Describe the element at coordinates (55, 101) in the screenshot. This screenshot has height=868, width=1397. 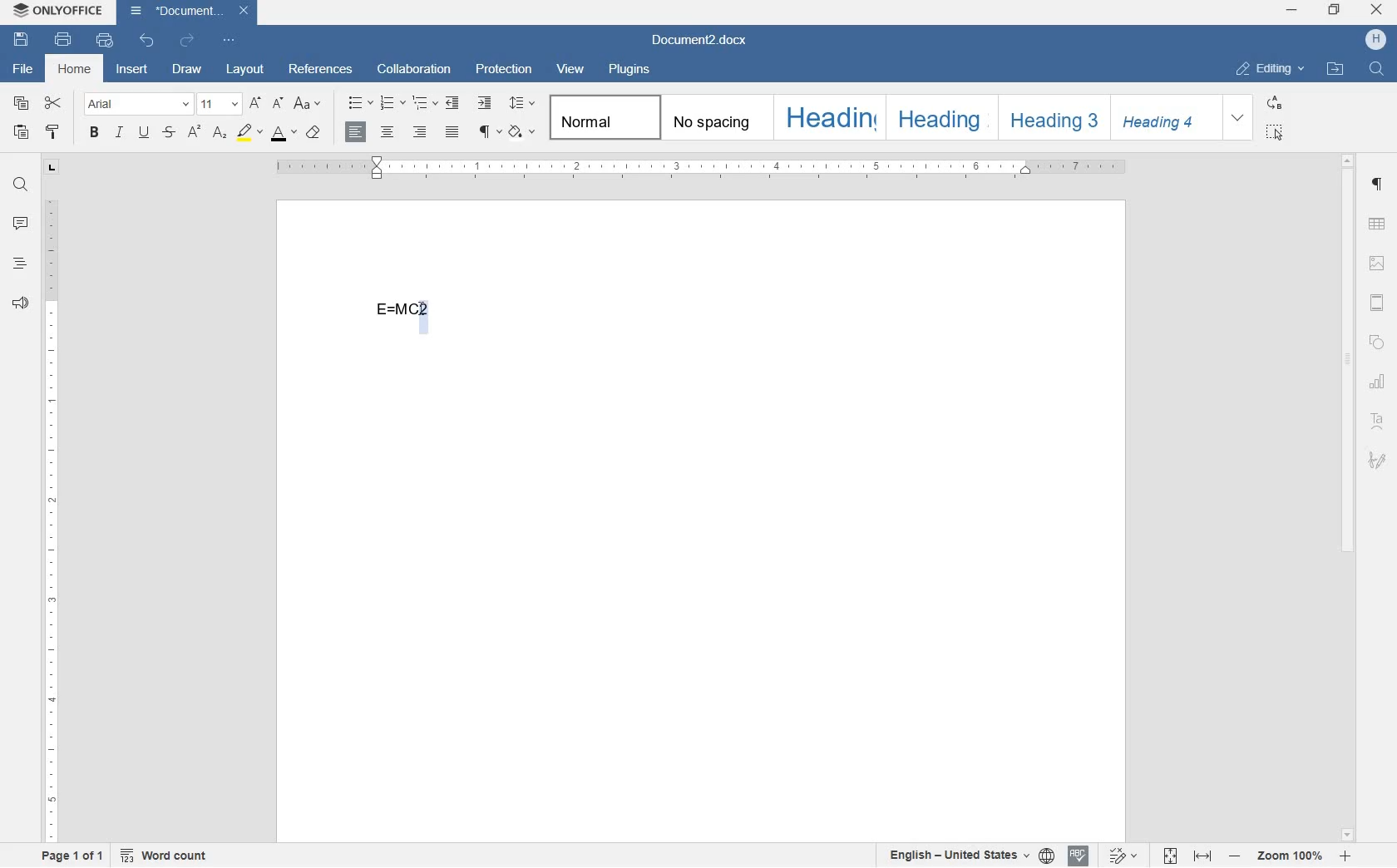
I see `cut` at that location.